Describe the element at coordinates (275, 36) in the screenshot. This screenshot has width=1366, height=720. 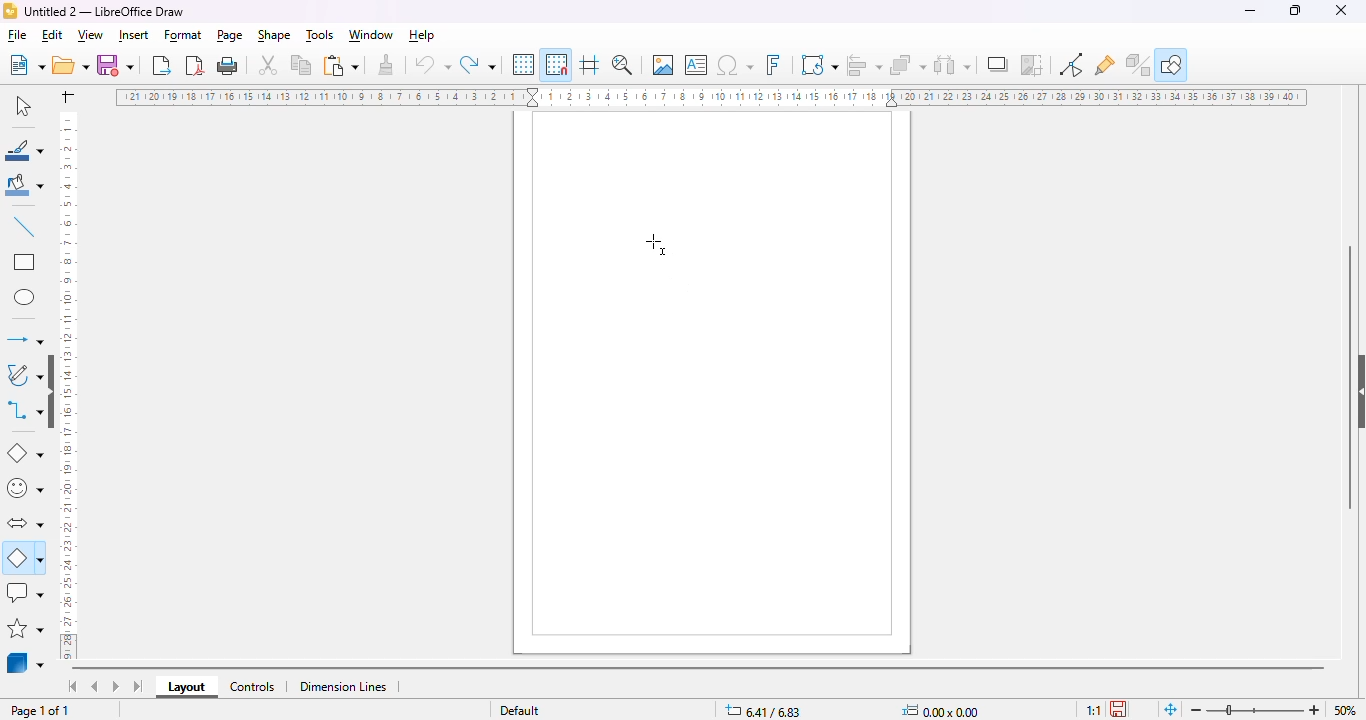
I see `shape` at that location.